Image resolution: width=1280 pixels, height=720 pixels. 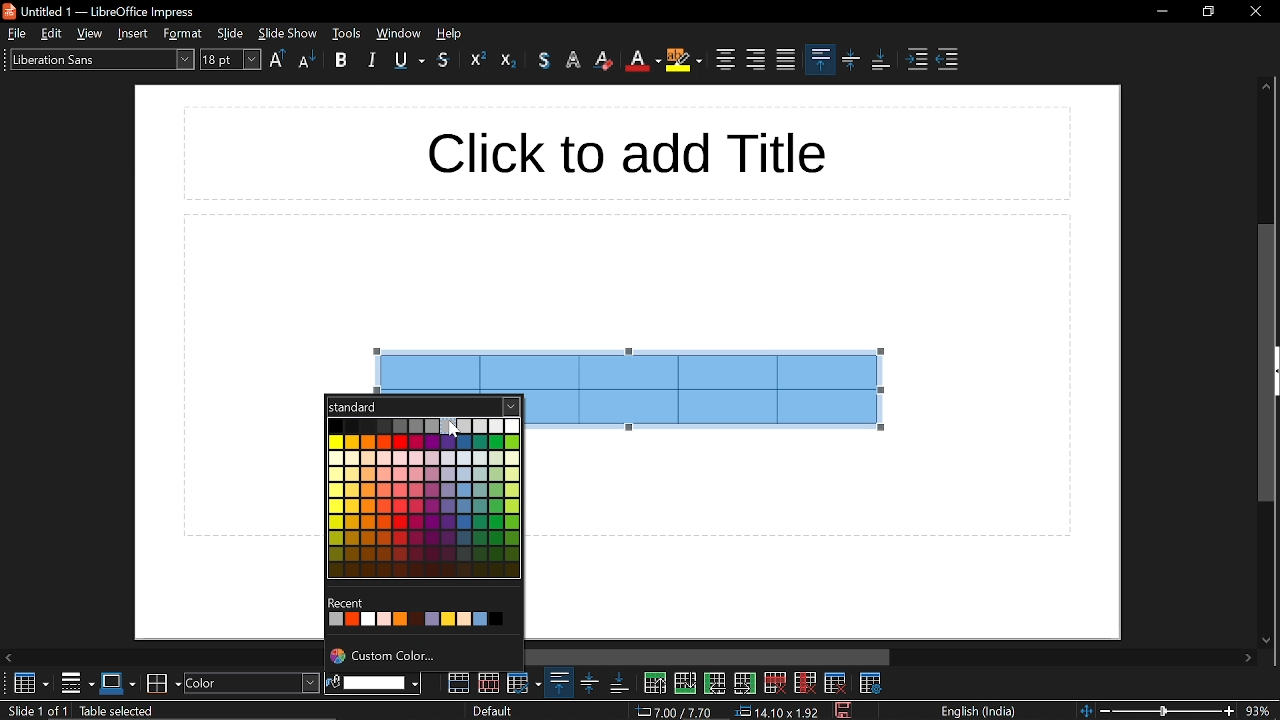 I want to click on merge cells, so click(x=457, y=683).